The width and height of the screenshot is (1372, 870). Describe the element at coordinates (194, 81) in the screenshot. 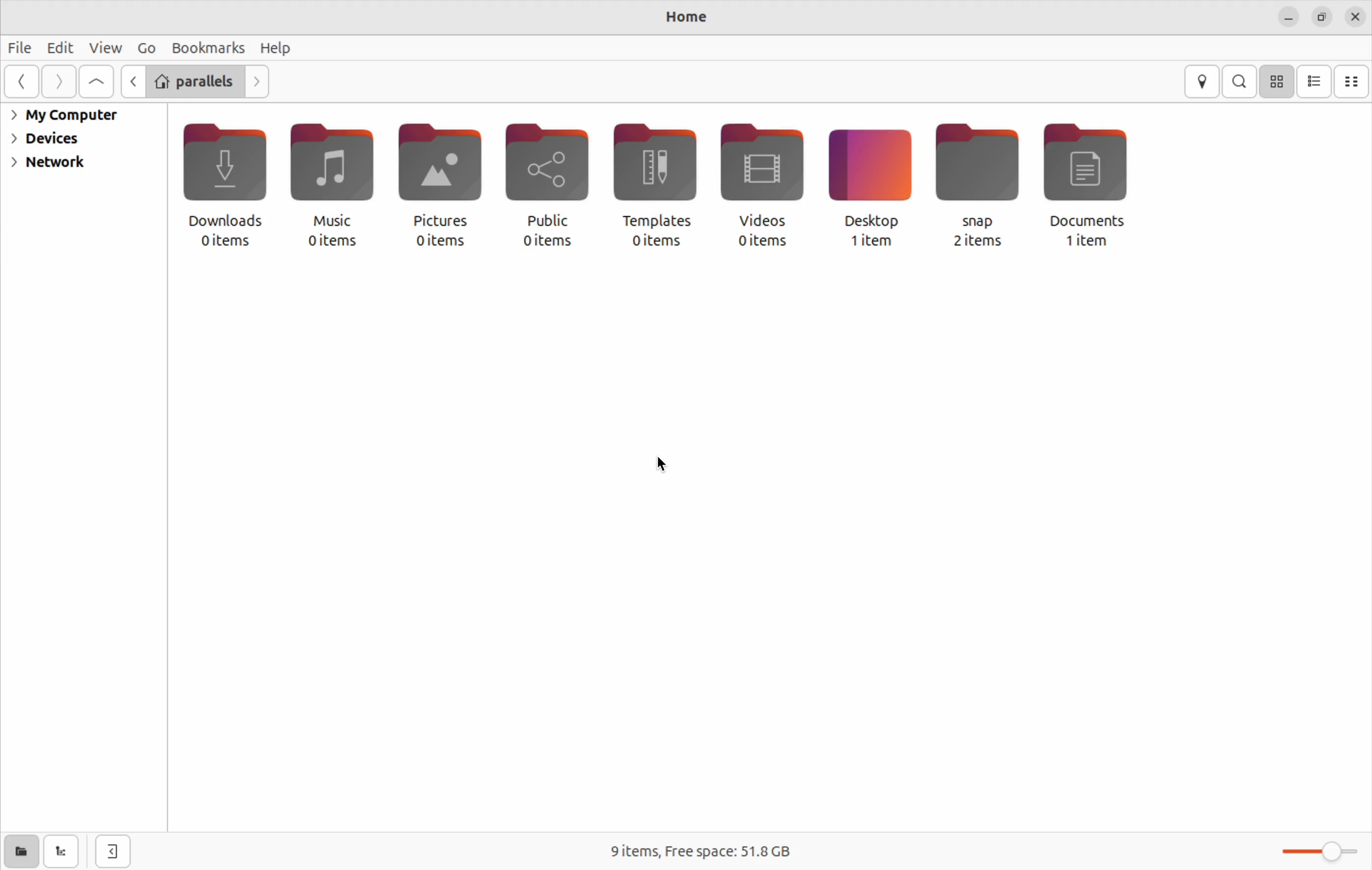

I see `parallels` at that location.